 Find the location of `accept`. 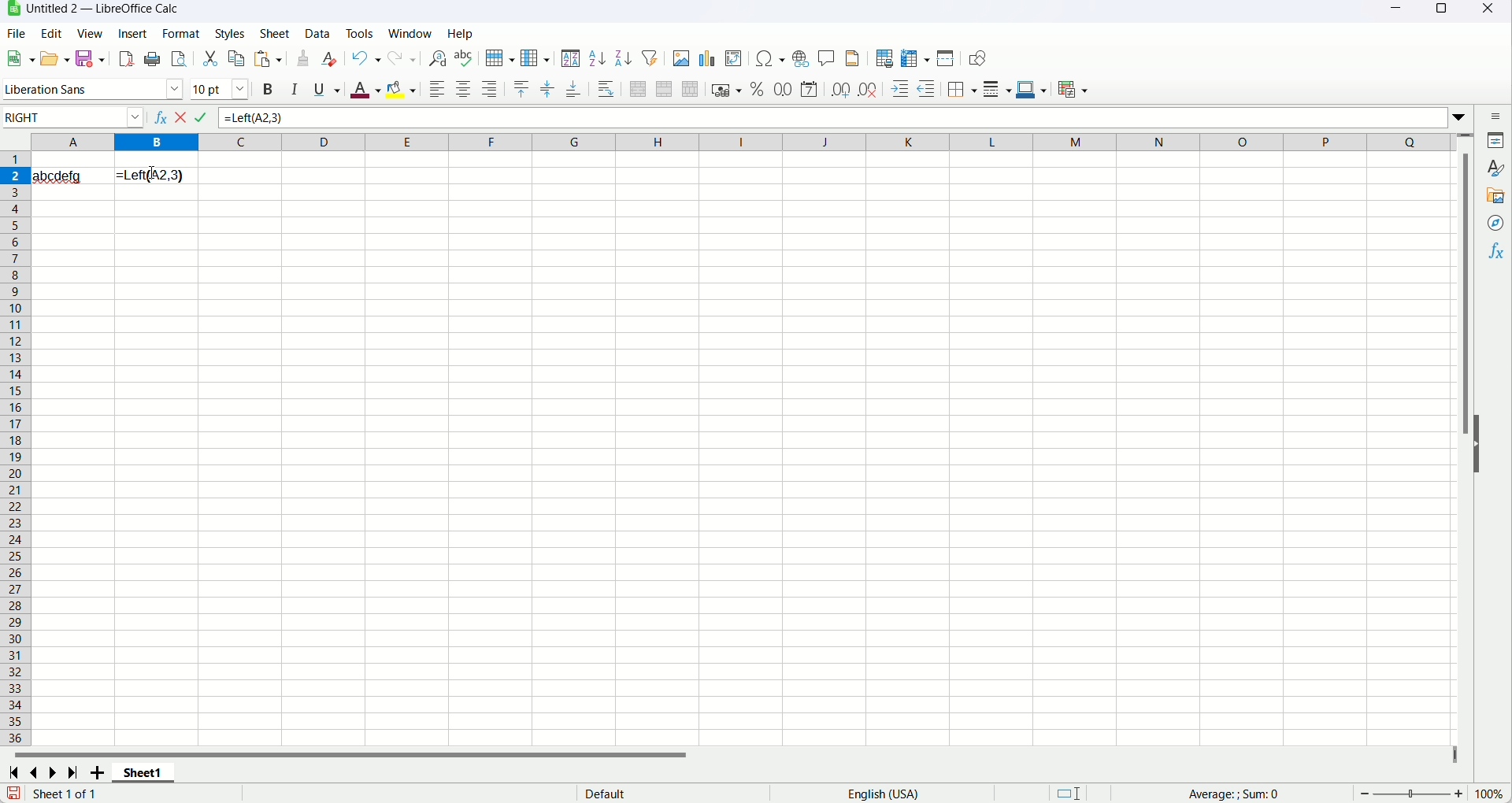

accept is located at coordinates (202, 117).